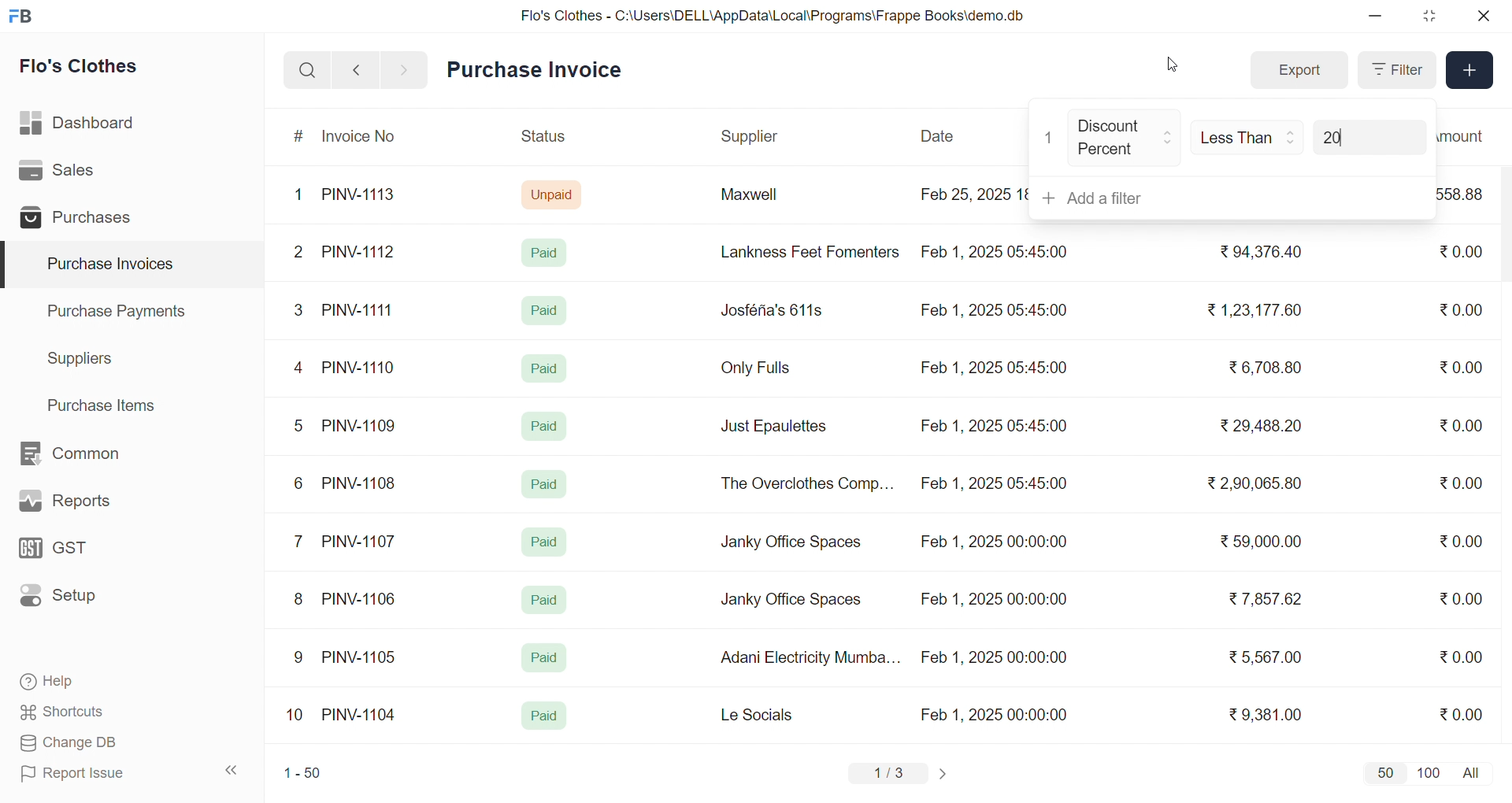 The height and width of the screenshot is (803, 1512). Describe the element at coordinates (1175, 66) in the screenshot. I see `cursor` at that location.